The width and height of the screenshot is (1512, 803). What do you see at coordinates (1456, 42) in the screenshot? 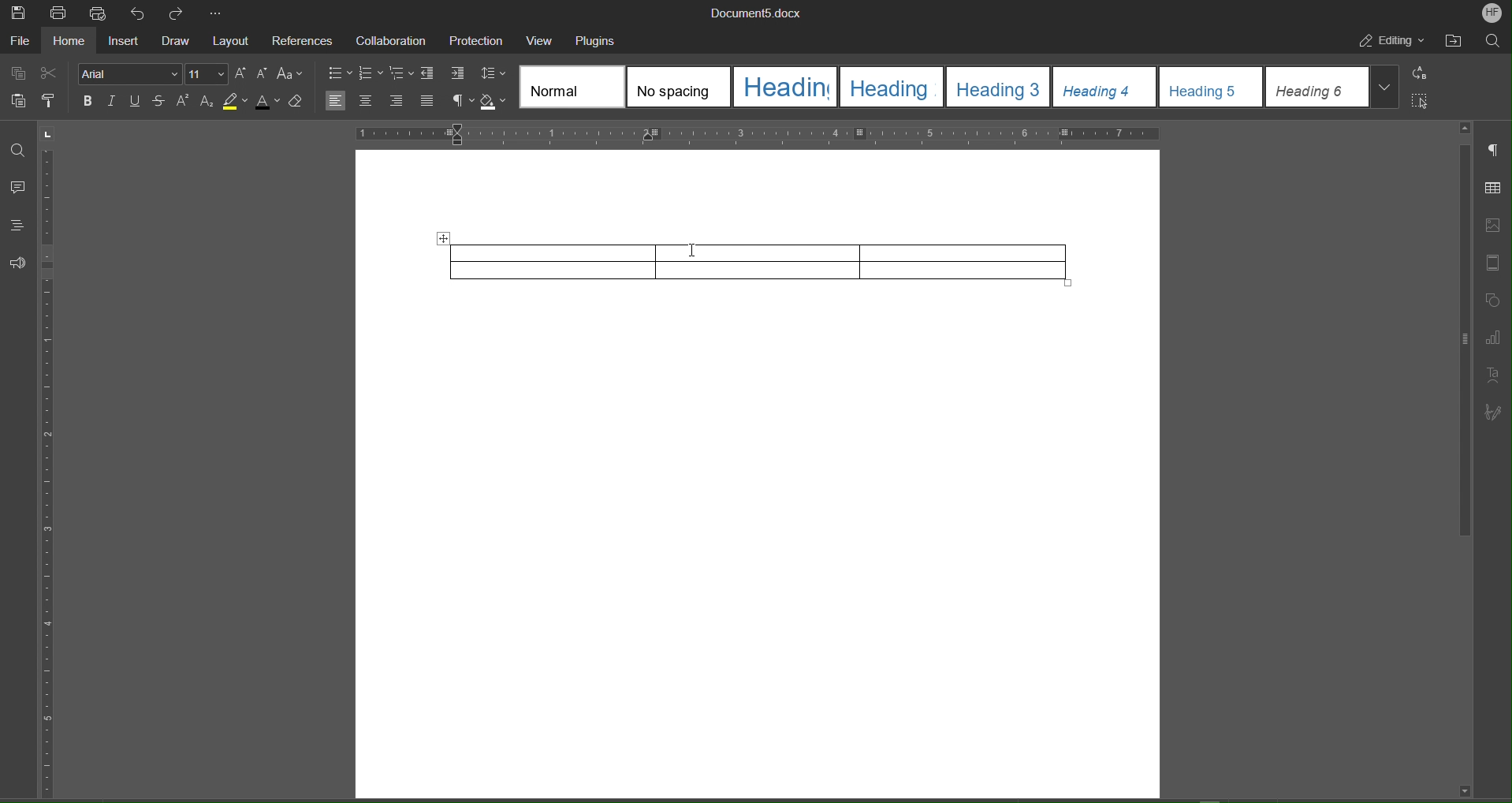
I see `Open File Location` at bounding box center [1456, 42].